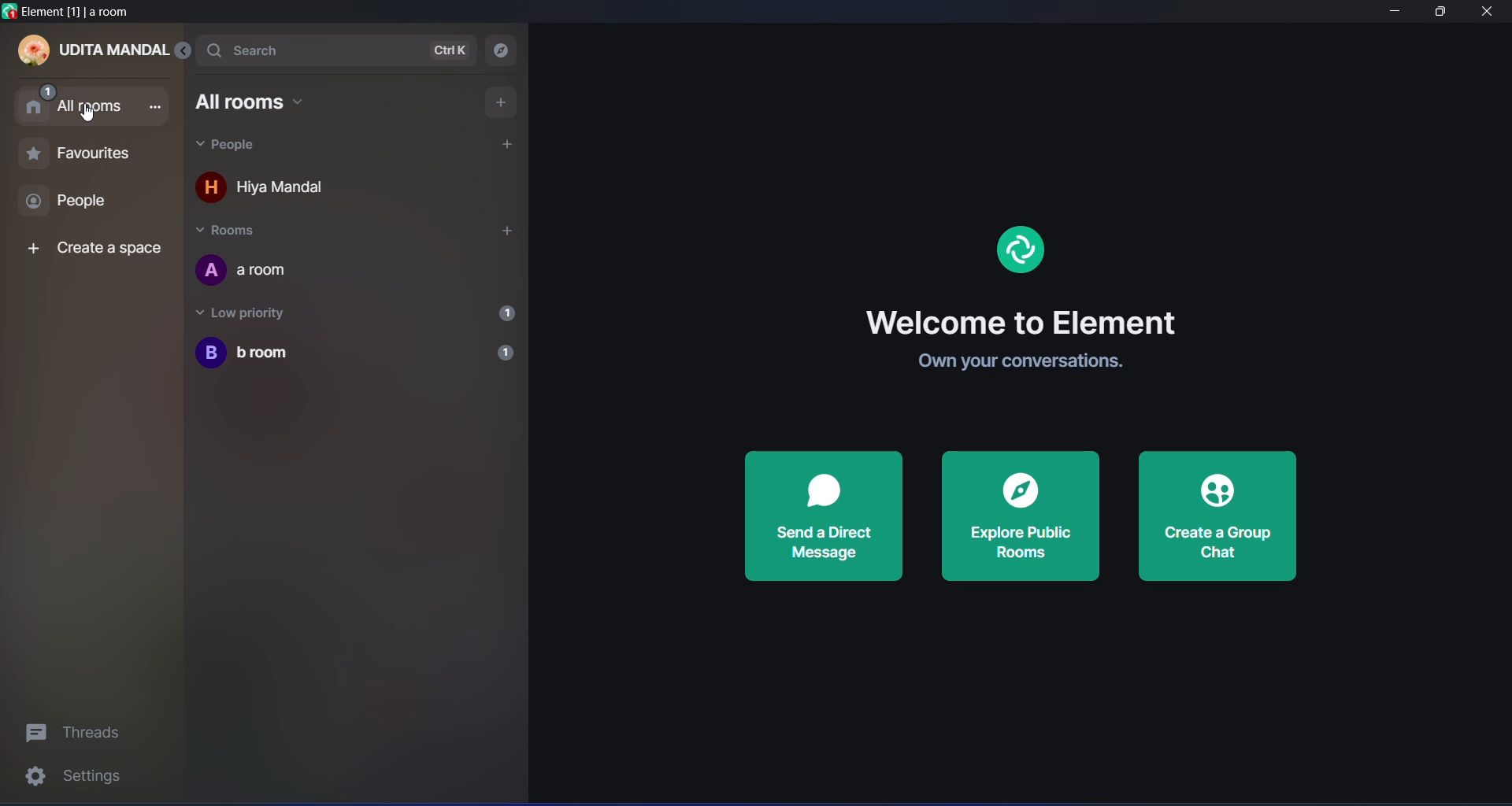  I want to click on 1, so click(504, 312).